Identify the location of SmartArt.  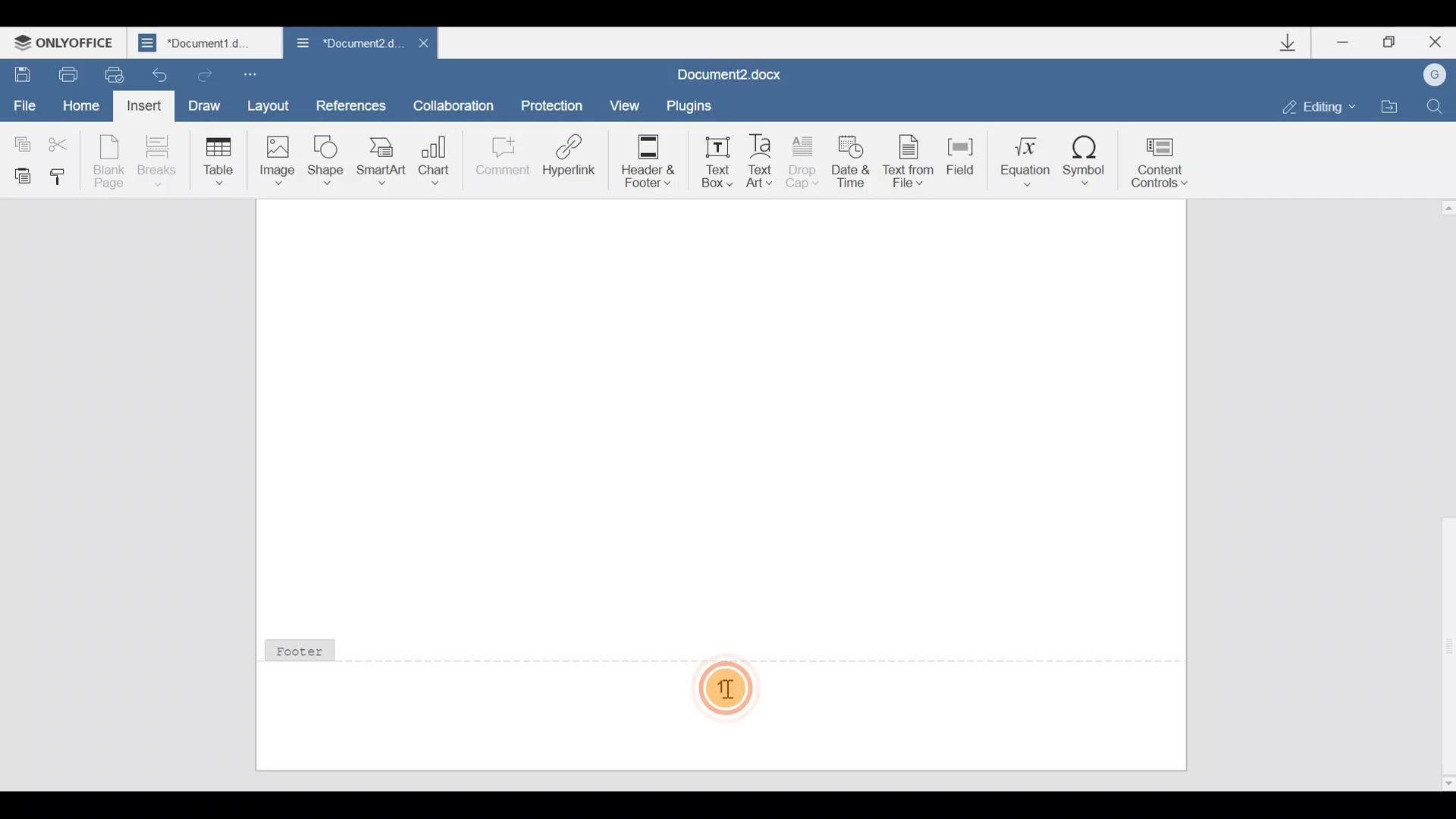
(381, 160).